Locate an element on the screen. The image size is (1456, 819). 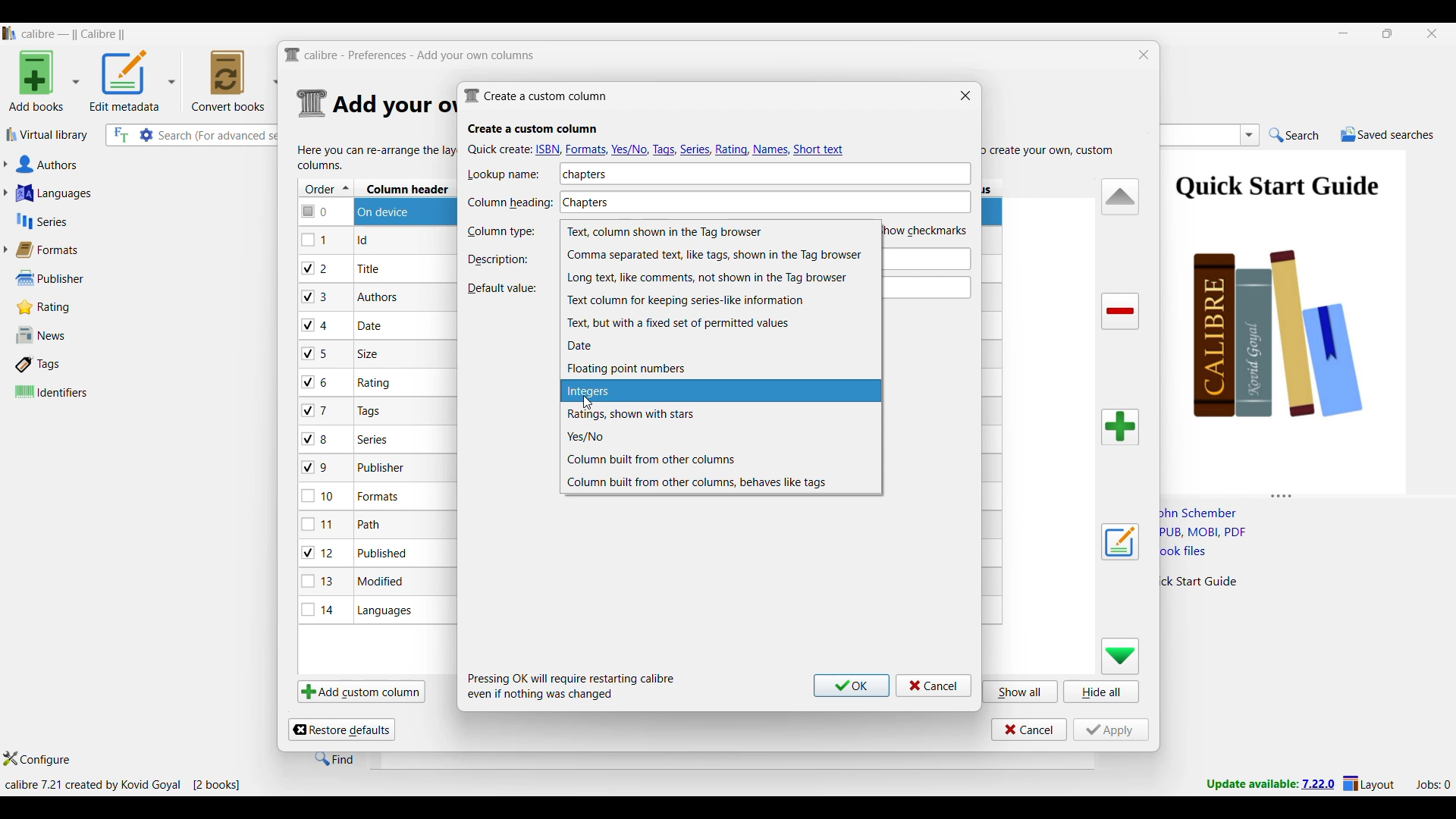
Indicates Default value text box is located at coordinates (501, 288).